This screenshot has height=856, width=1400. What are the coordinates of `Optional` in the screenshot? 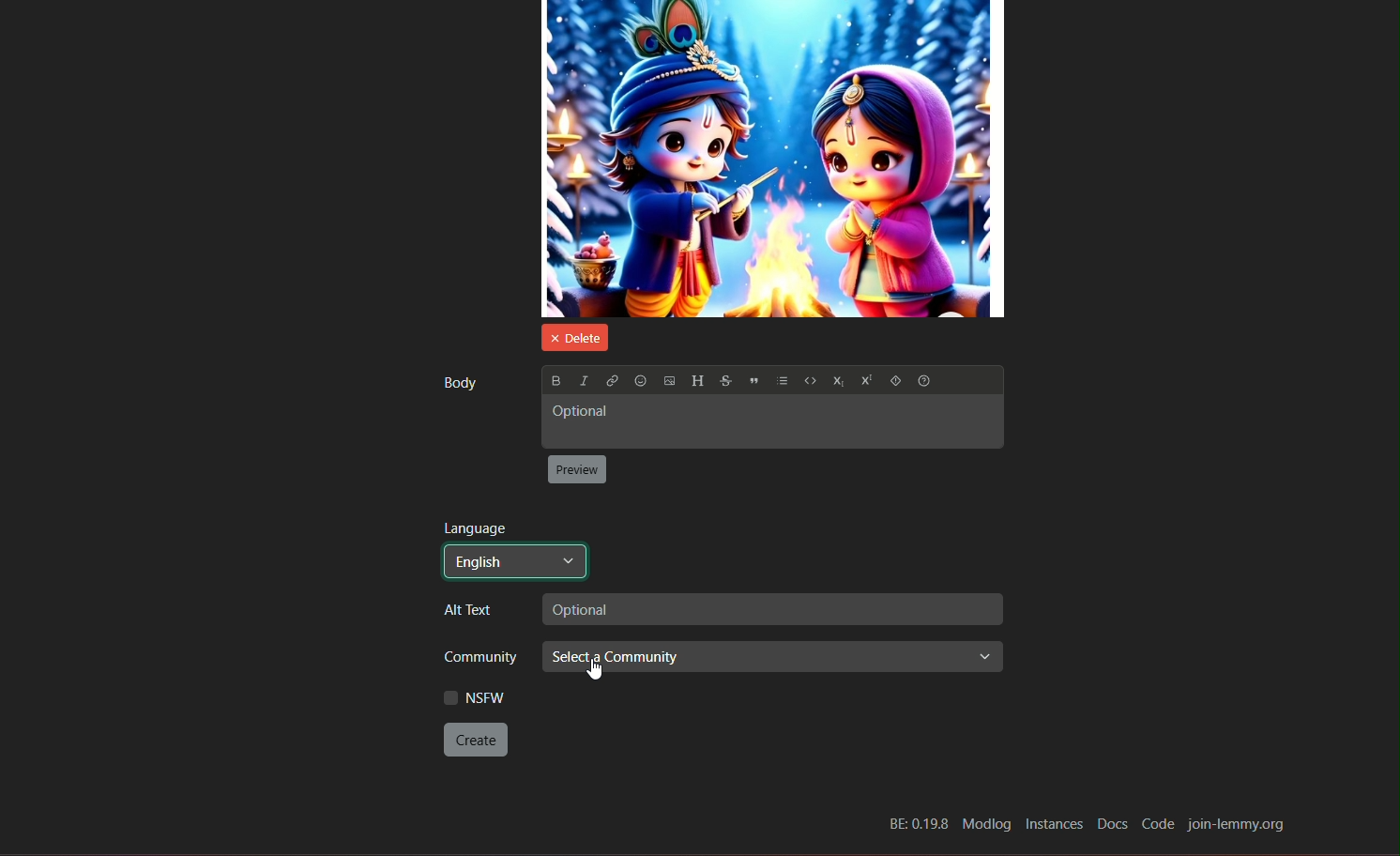 It's located at (769, 609).